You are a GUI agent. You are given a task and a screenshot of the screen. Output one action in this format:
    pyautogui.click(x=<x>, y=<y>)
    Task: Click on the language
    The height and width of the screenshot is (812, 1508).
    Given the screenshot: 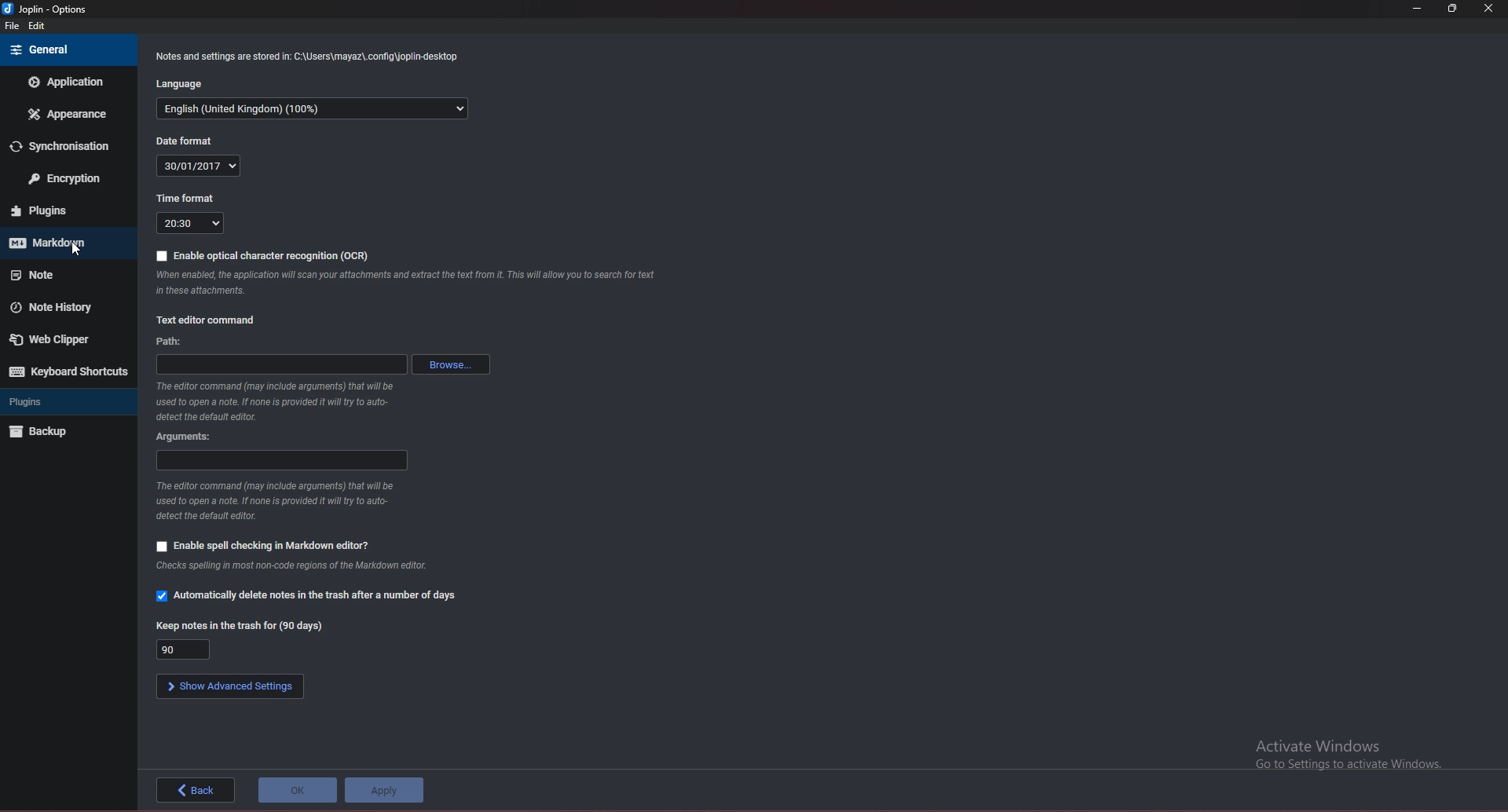 What is the action you would take?
    pyautogui.click(x=317, y=109)
    